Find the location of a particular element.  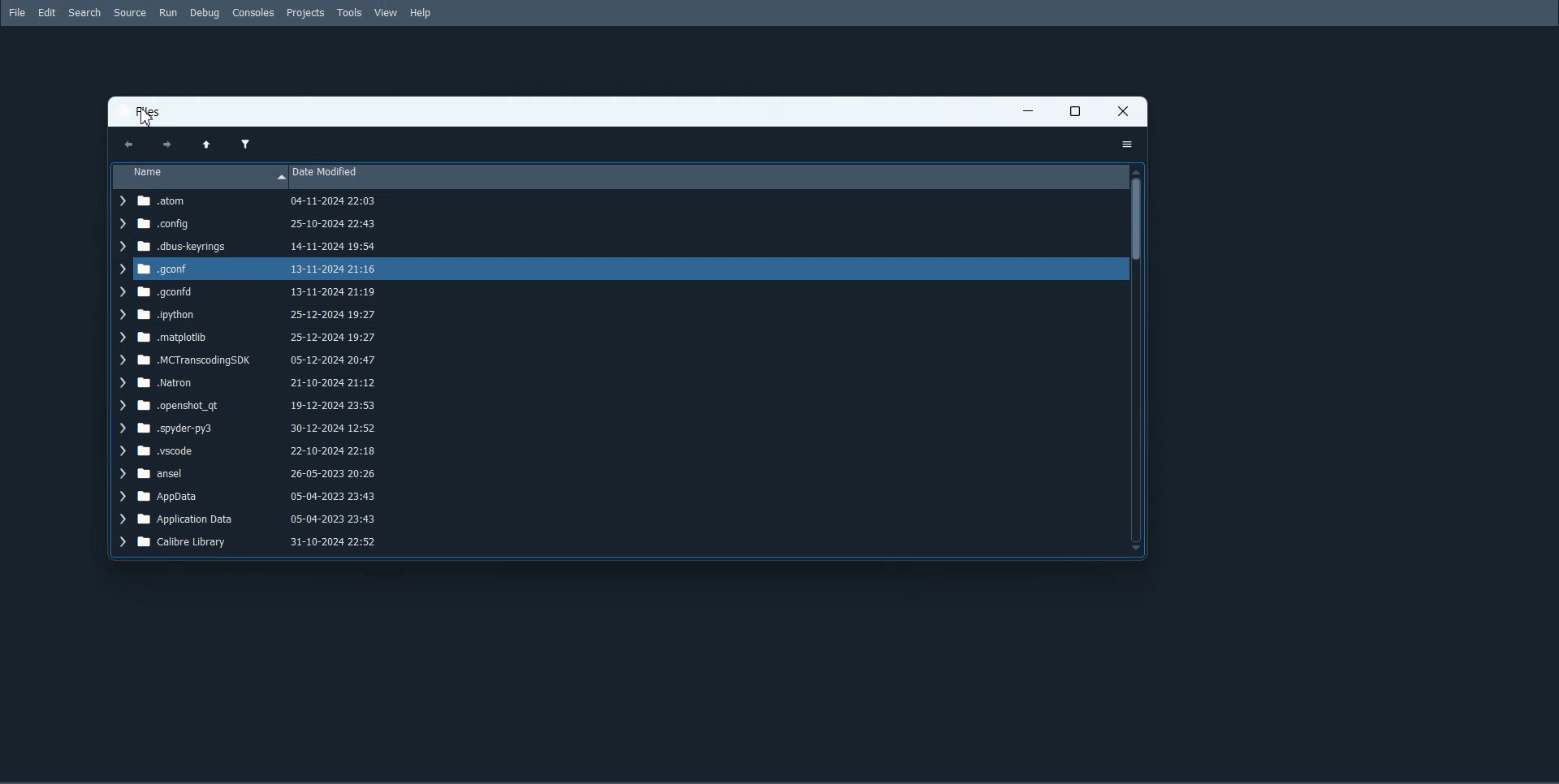

.geonfd 13-11-2024 21:19 is located at coordinates (244, 292).